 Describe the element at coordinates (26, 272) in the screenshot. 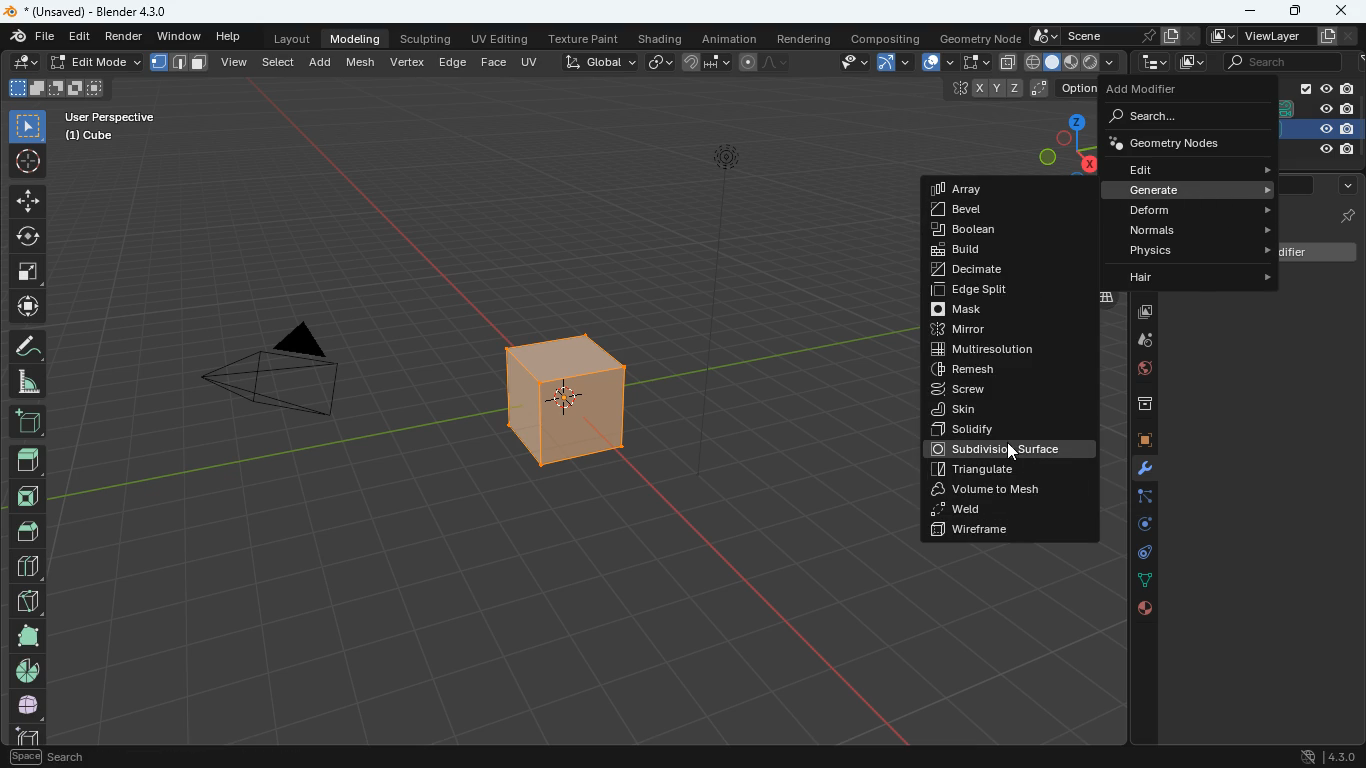

I see `fullscreen` at that location.